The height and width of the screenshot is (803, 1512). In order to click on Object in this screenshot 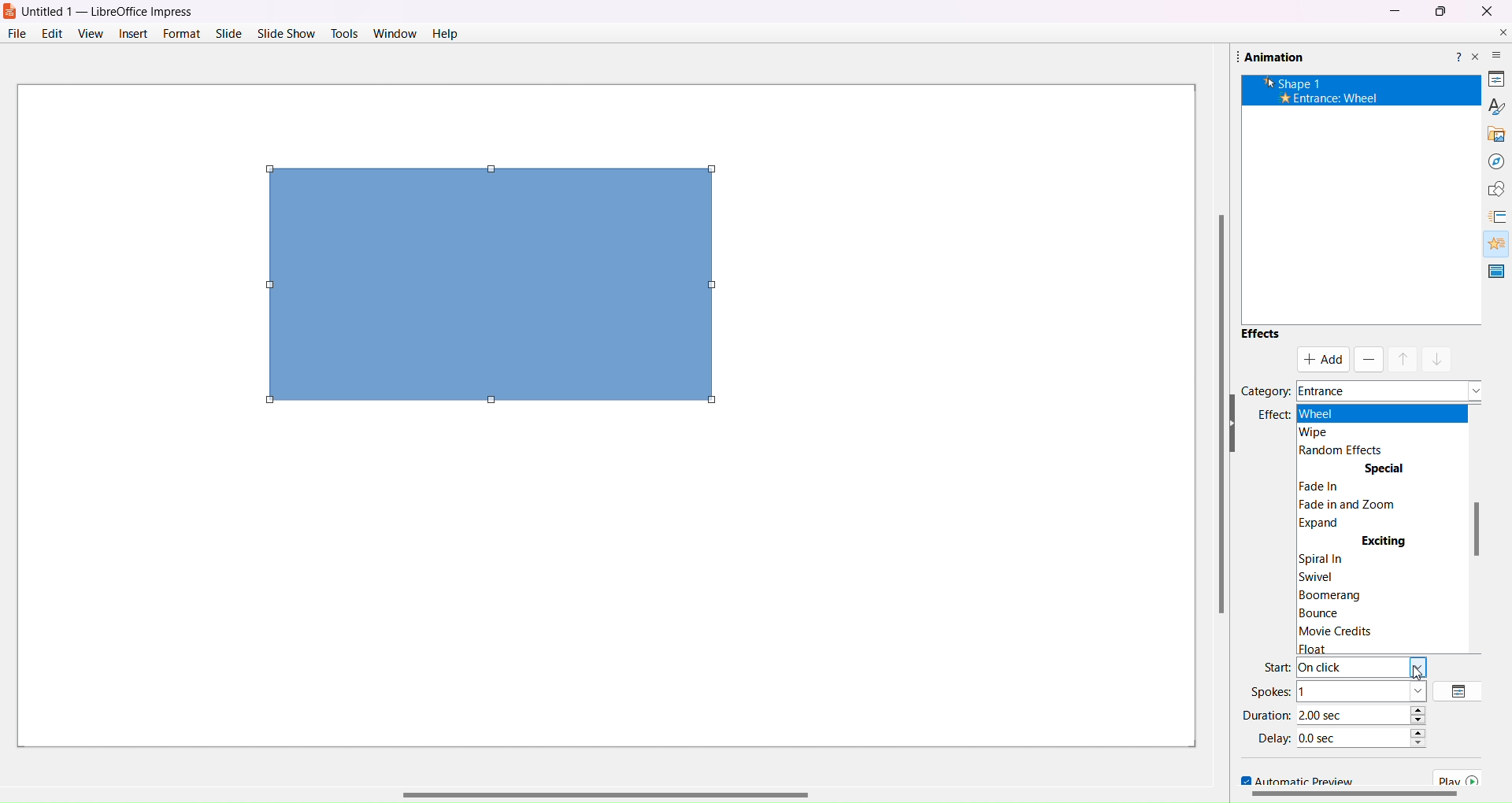, I will do `click(487, 286)`.